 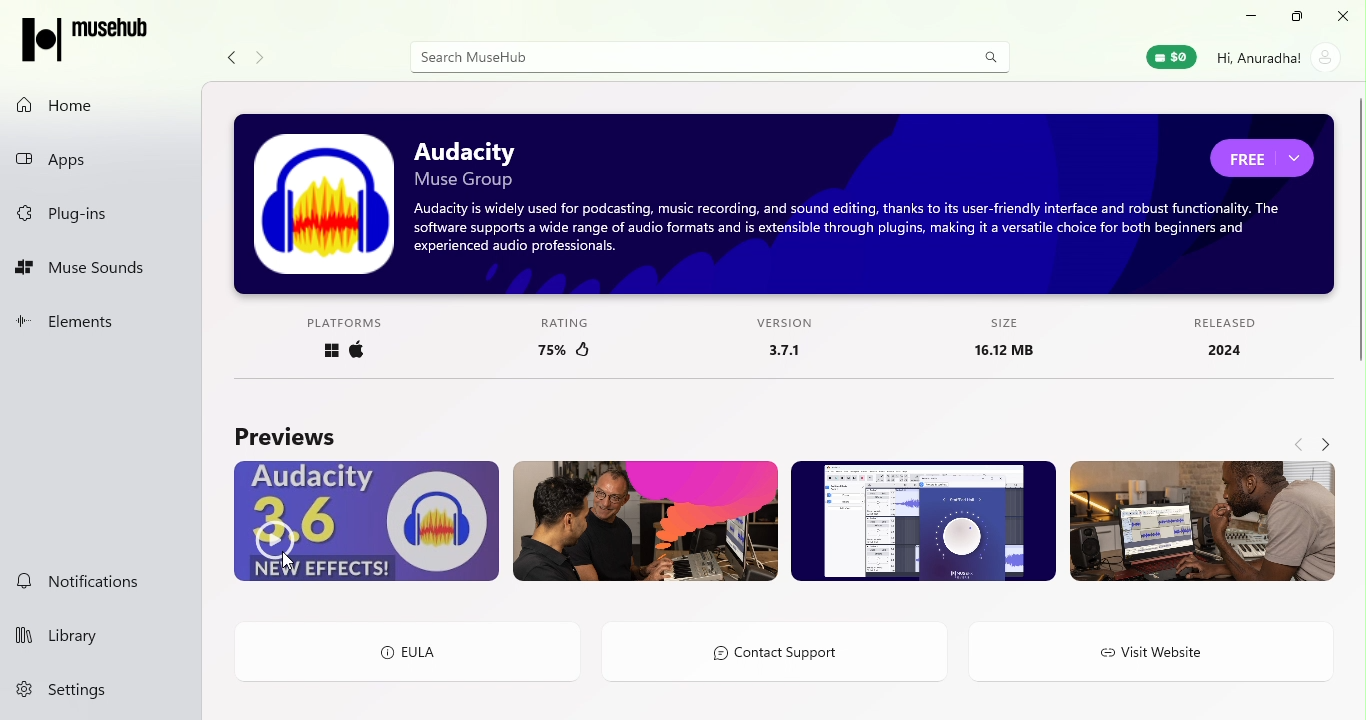 What do you see at coordinates (98, 583) in the screenshot?
I see `Notifications` at bounding box center [98, 583].